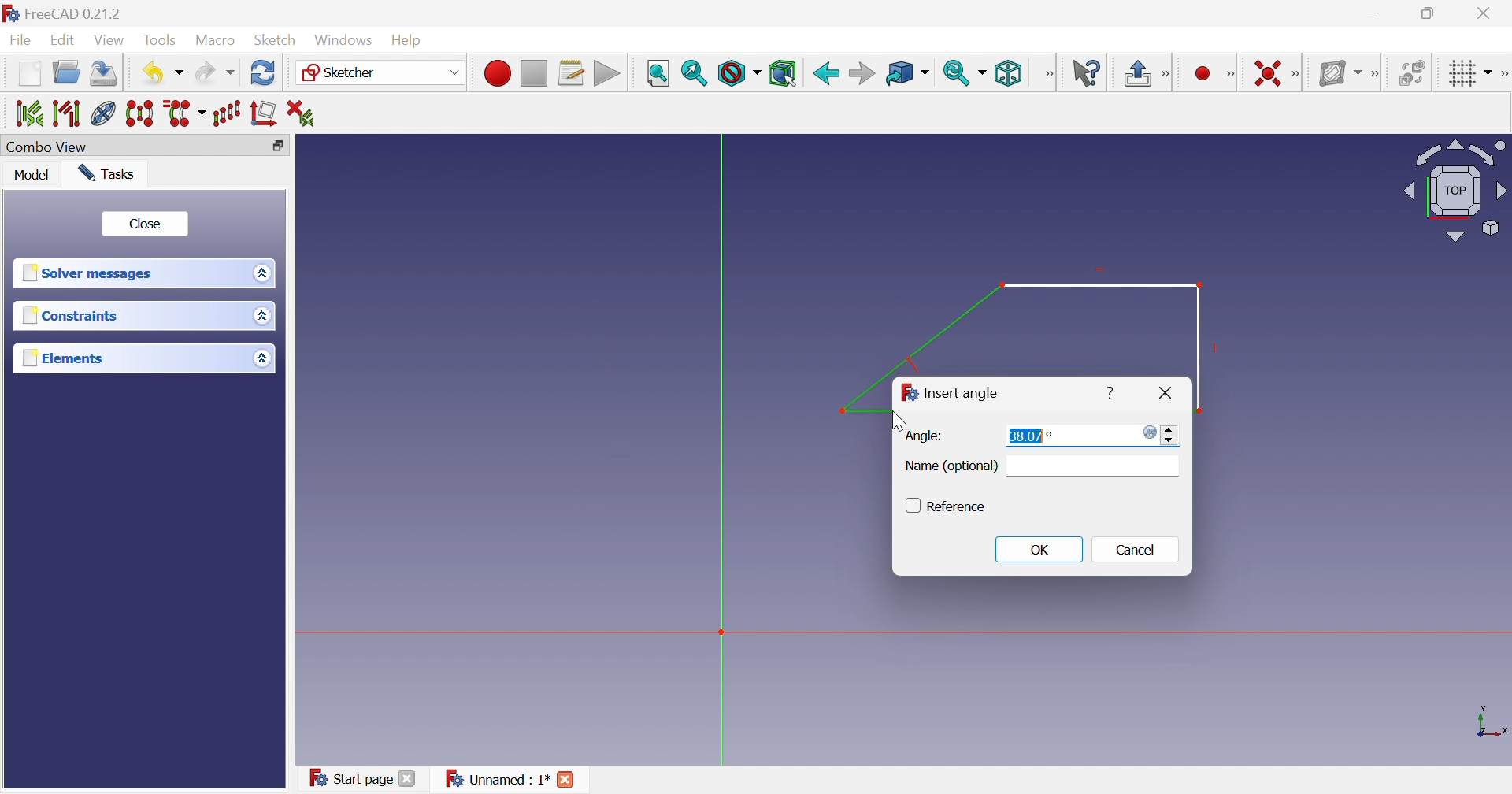 This screenshot has height=794, width=1512. What do you see at coordinates (1028, 436) in the screenshot?
I see `38.07 °` at bounding box center [1028, 436].